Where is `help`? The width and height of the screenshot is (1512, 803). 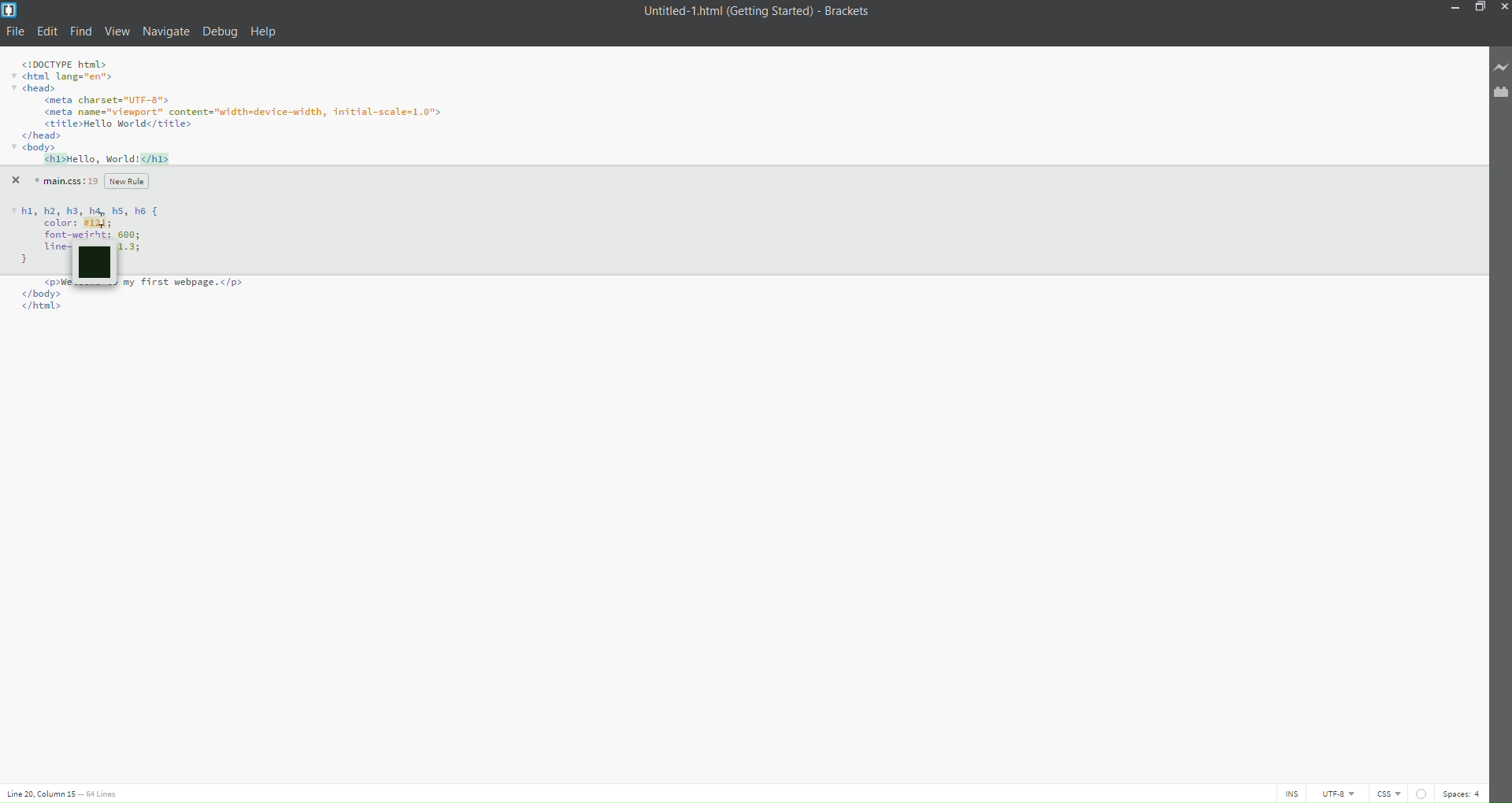
help is located at coordinates (266, 32).